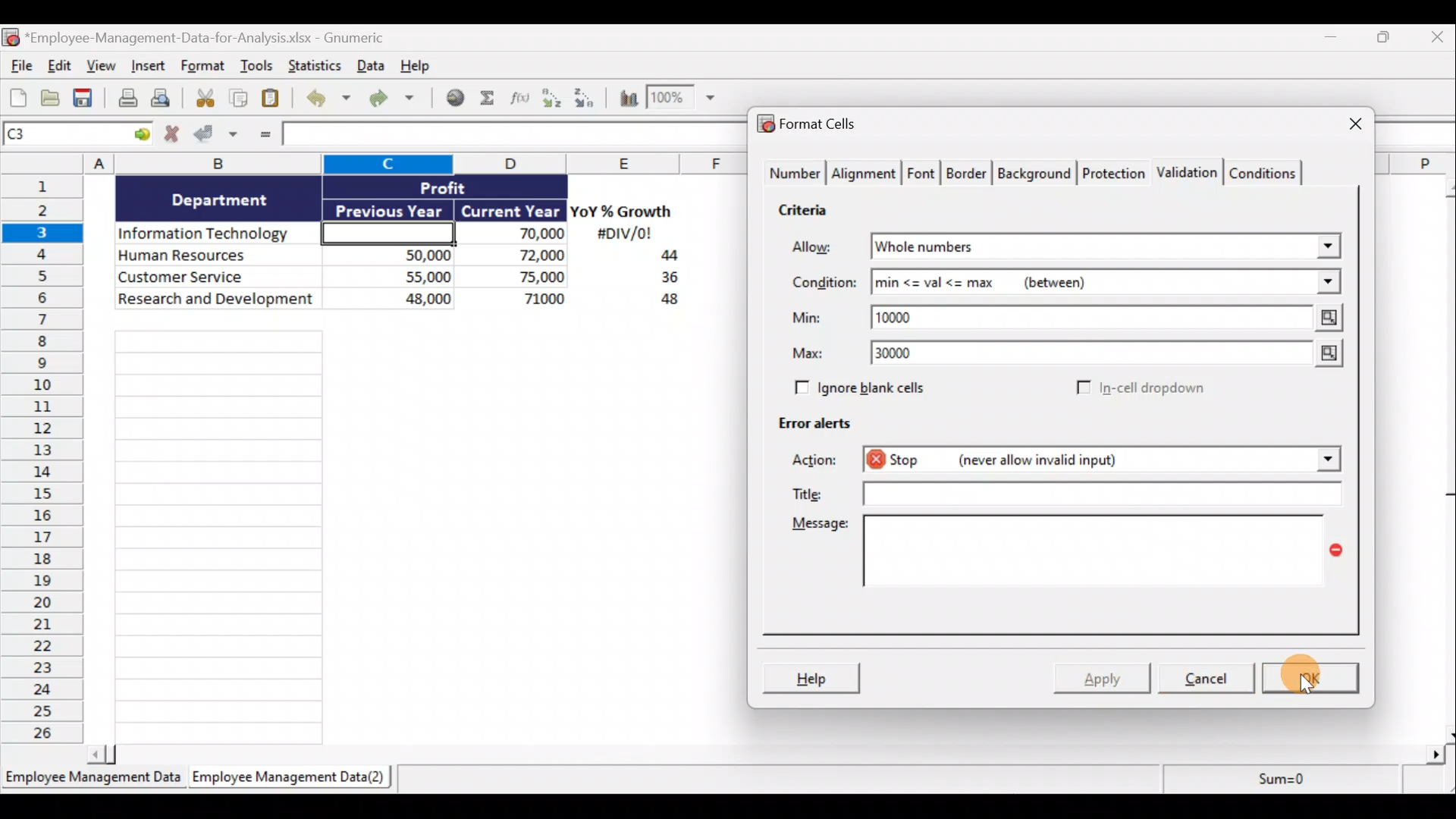  I want to click on Error alerts, so click(821, 430).